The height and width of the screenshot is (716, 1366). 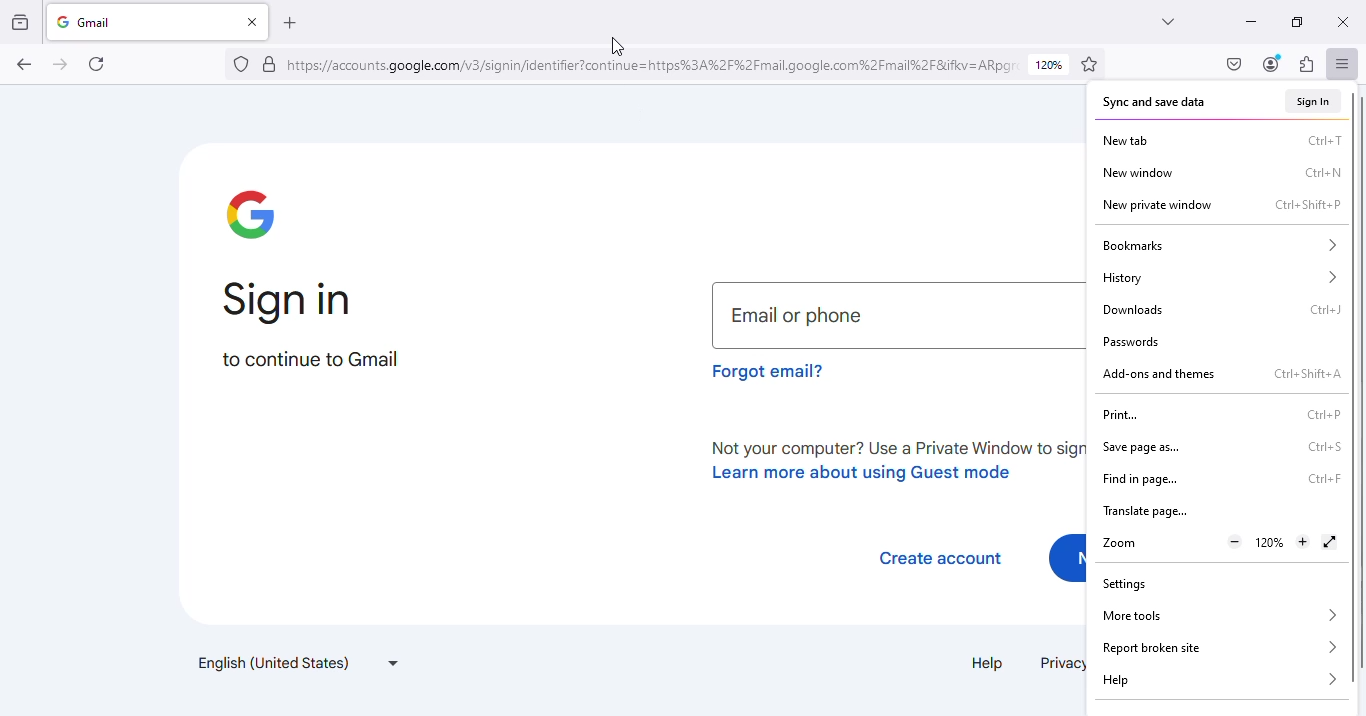 I want to click on more tools, so click(x=1217, y=615).